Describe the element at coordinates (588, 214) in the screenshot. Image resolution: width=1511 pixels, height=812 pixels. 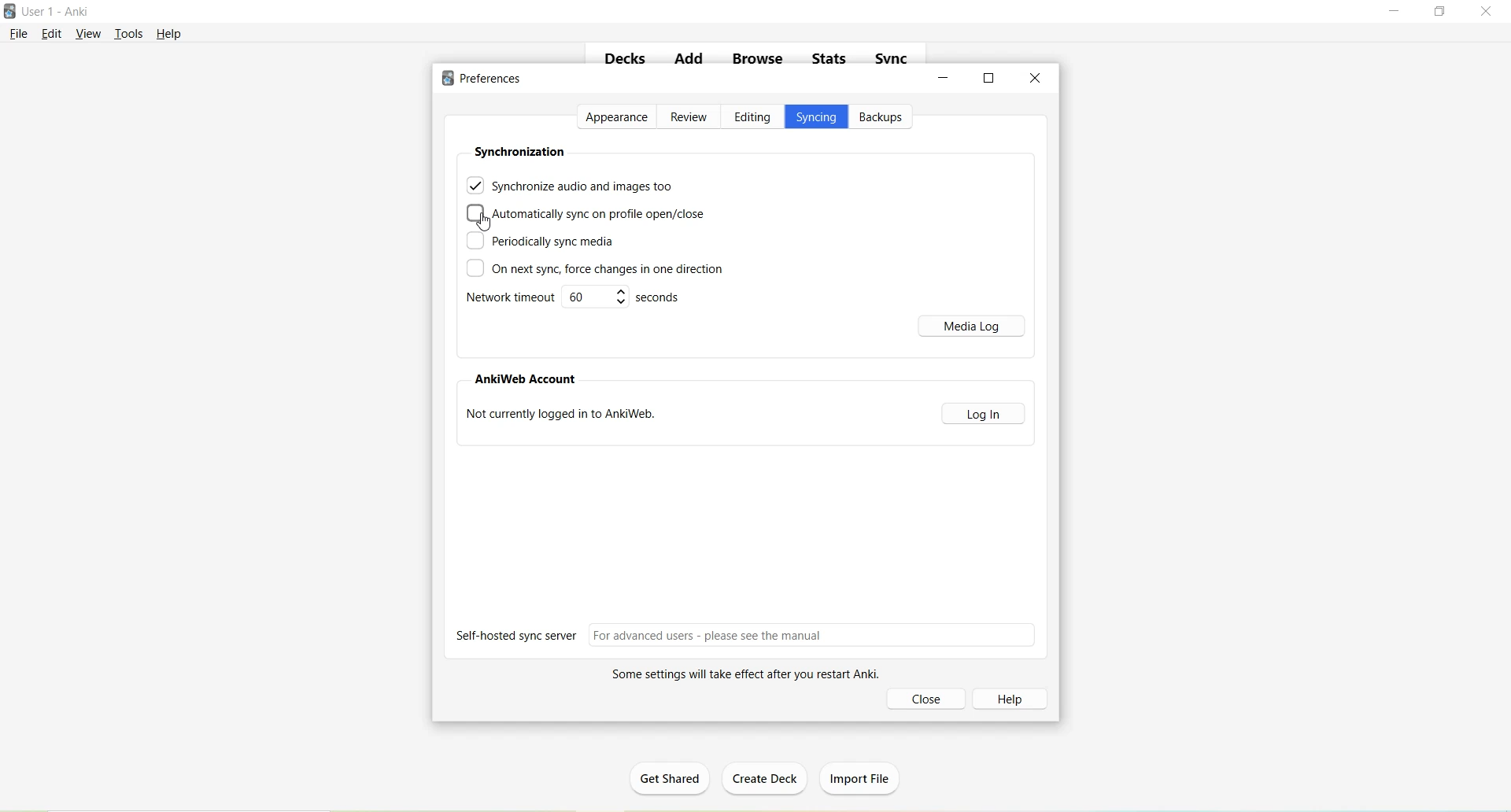
I see `Automatically sync on profile open/close` at that location.